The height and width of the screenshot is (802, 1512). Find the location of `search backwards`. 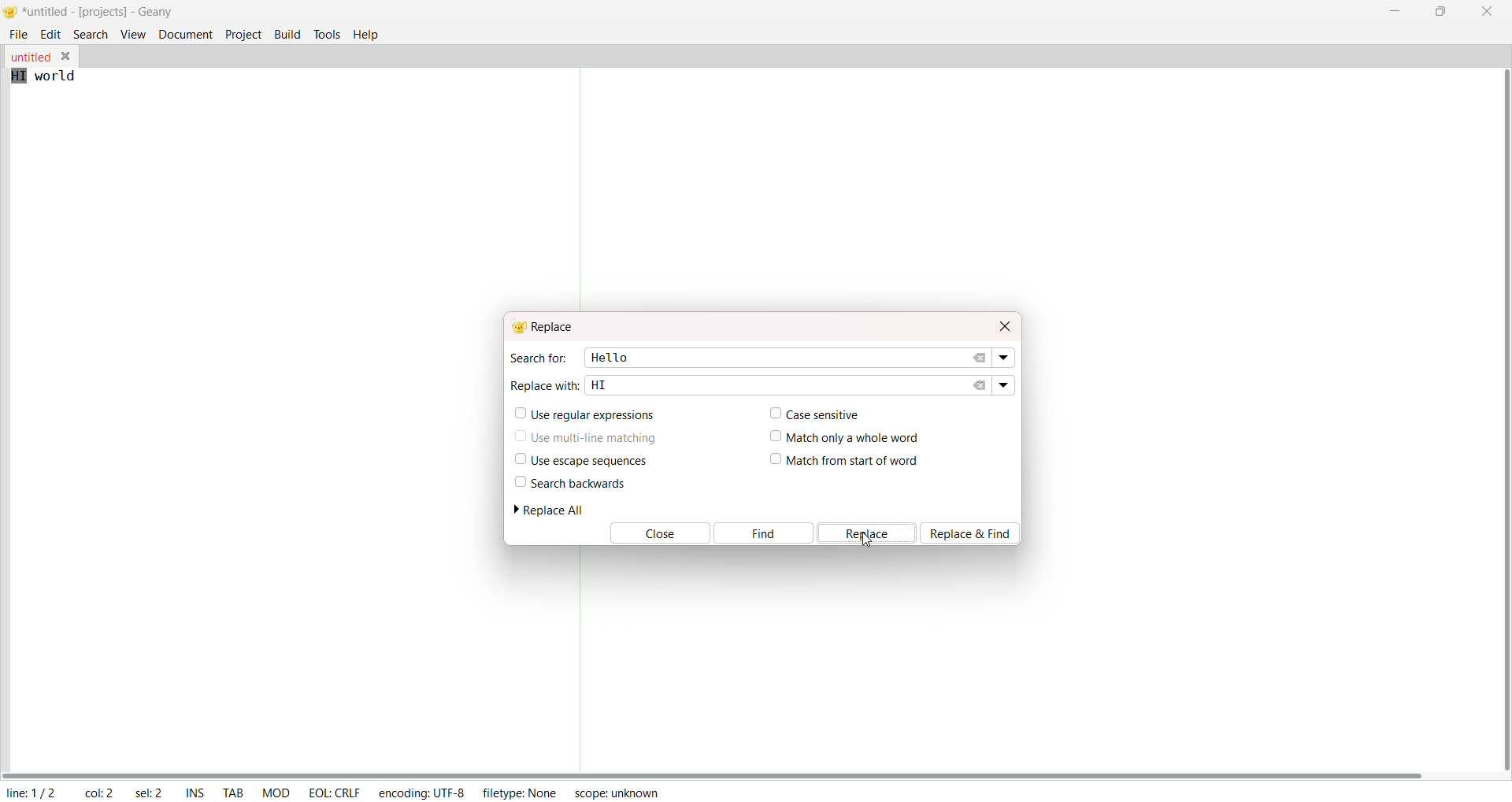

search backwards is located at coordinates (569, 483).